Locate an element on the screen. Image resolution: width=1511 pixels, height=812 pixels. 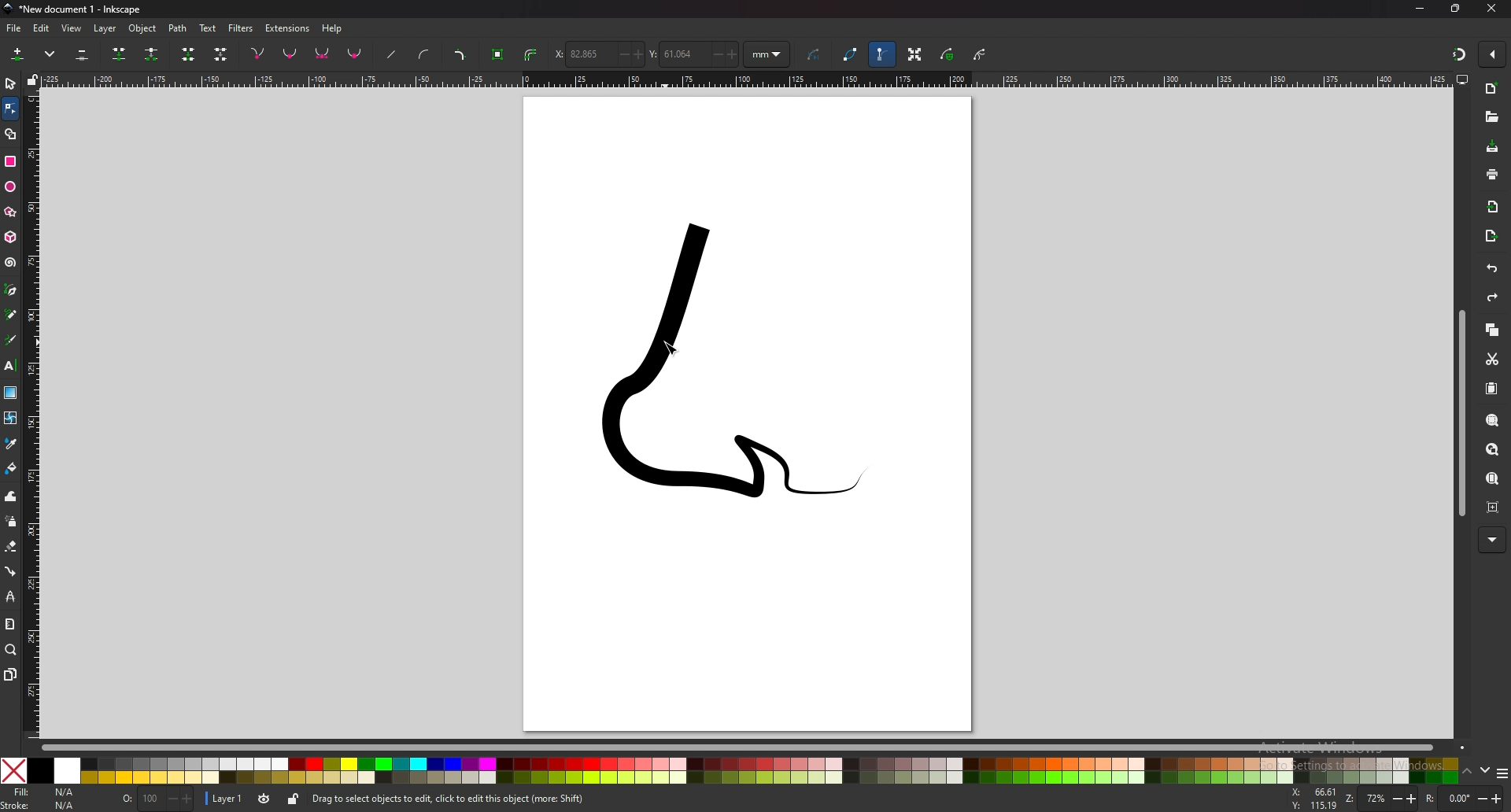
save is located at coordinates (1491, 147).